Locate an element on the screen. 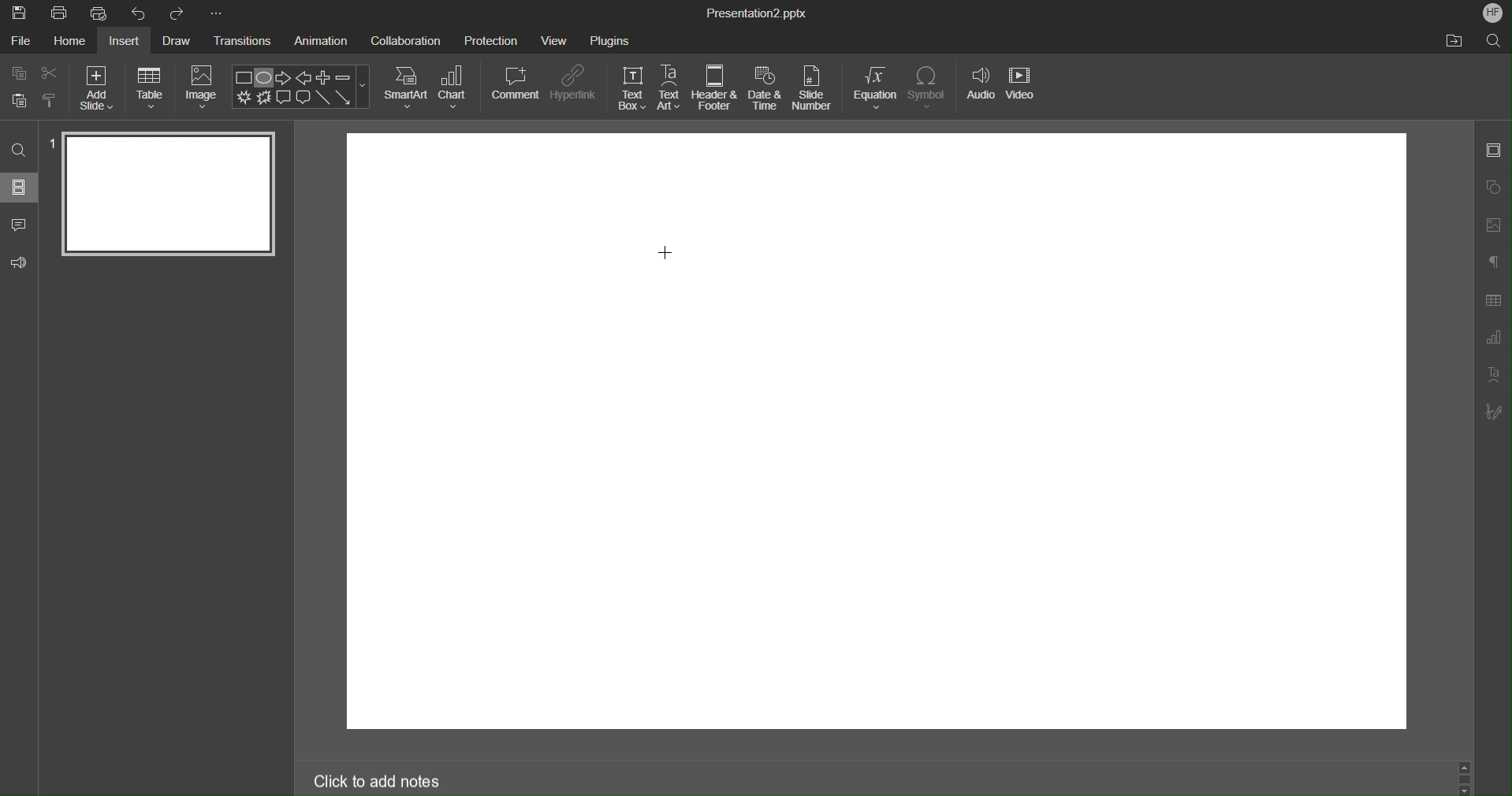 The width and height of the screenshot is (1512, 796). Home is located at coordinates (68, 42).